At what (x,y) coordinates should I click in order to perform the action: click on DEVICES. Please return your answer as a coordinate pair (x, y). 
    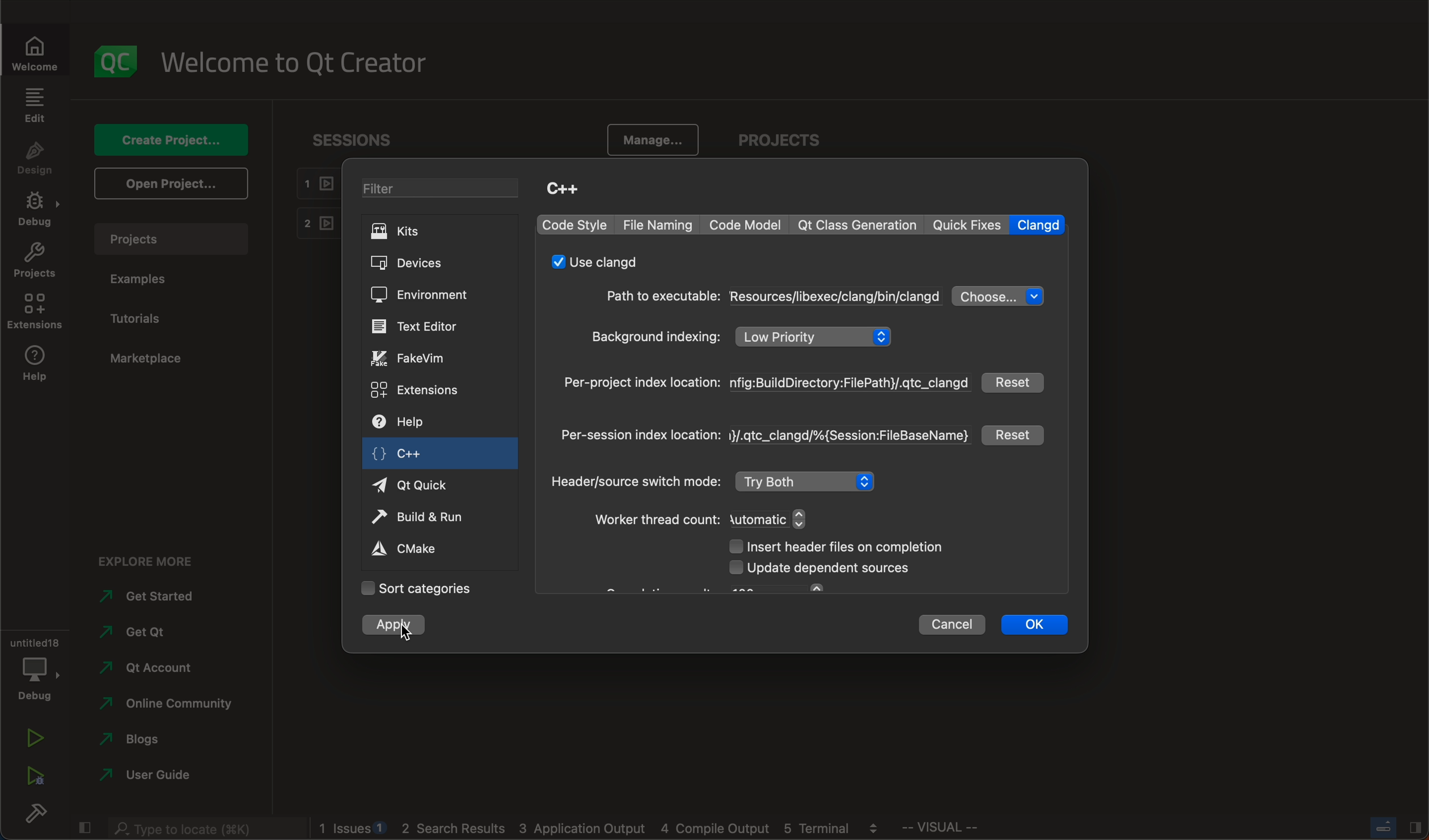
    Looking at the image, I should click on (425, 264).